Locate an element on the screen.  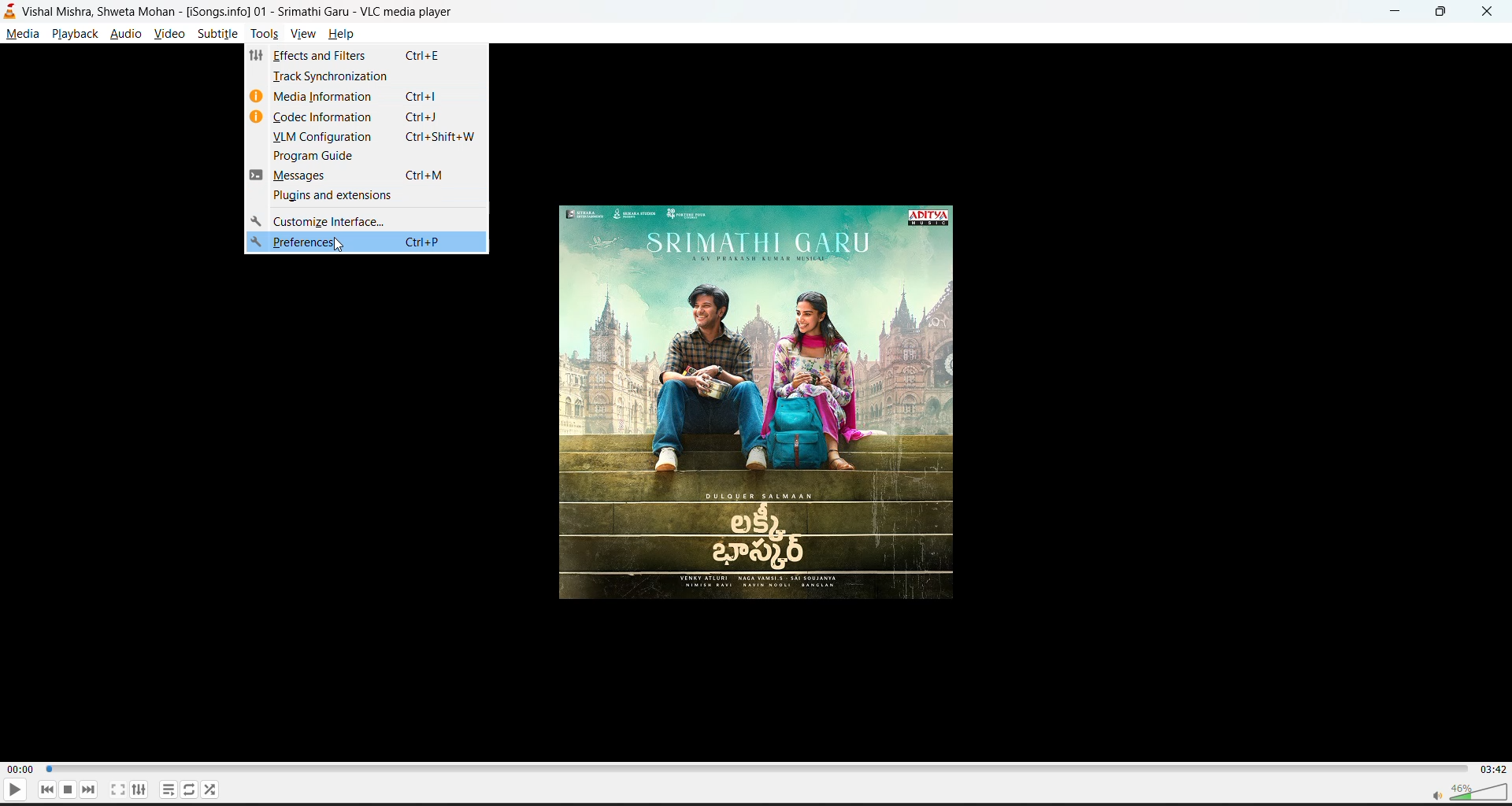
settings is located at coordinates (137, 790).